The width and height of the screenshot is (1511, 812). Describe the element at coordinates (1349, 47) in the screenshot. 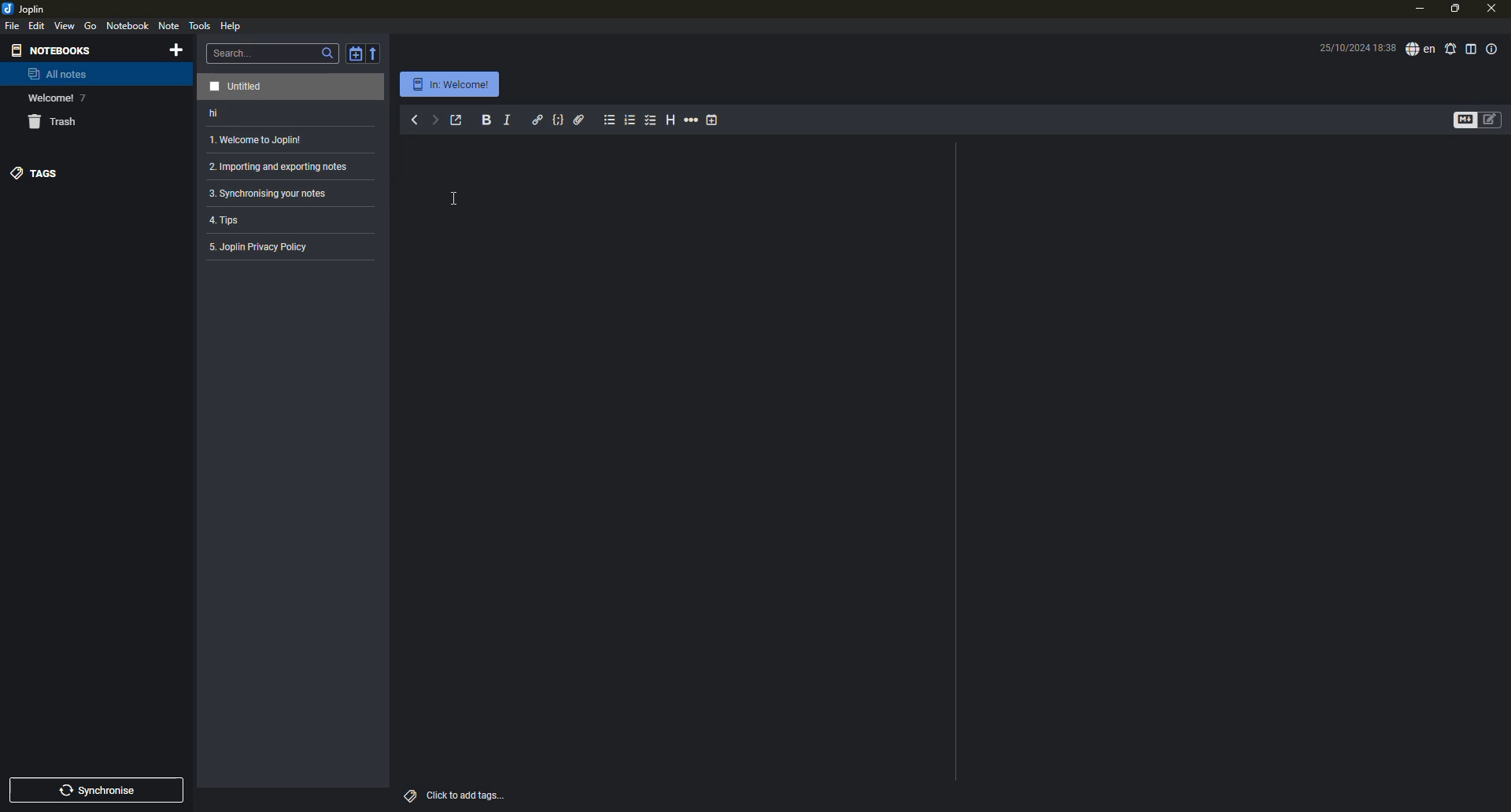

I see `25/10/2024 18:38` at that location.